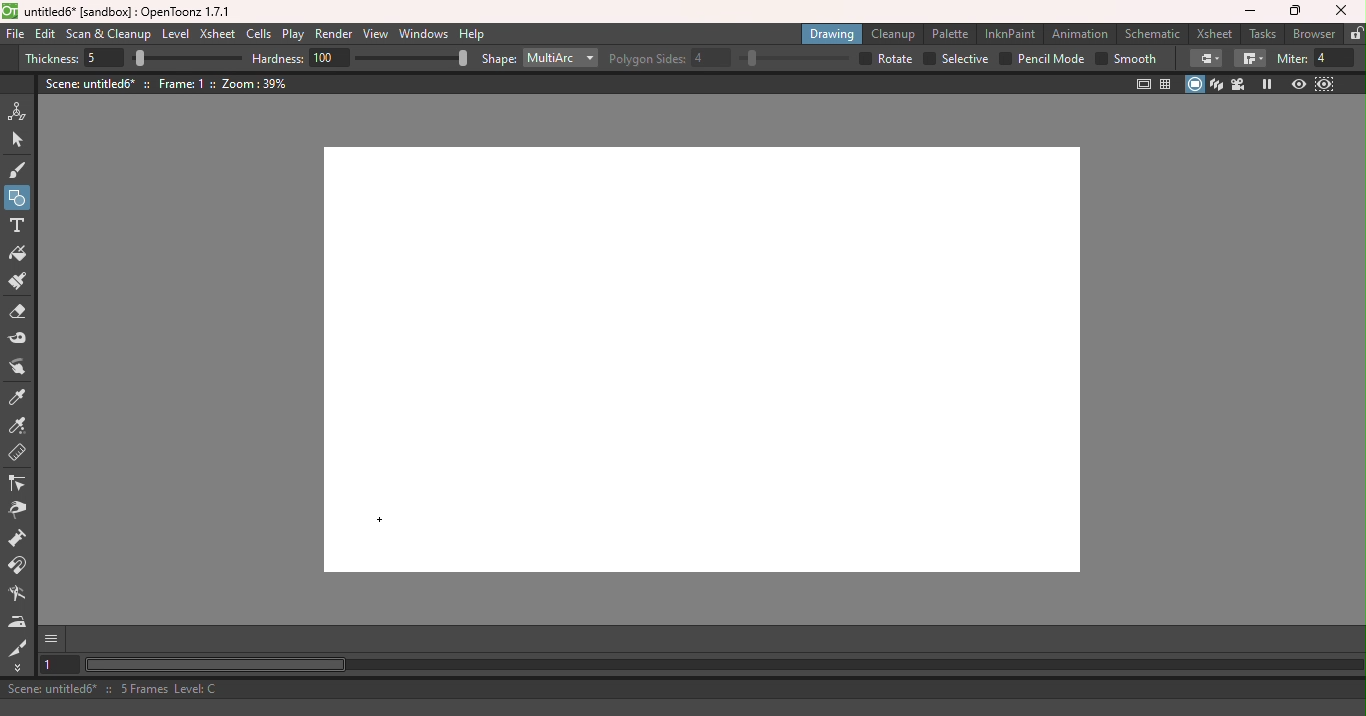 This screenshot has width=1366, height=716. I want to click on Preview, so click(1298, 85).